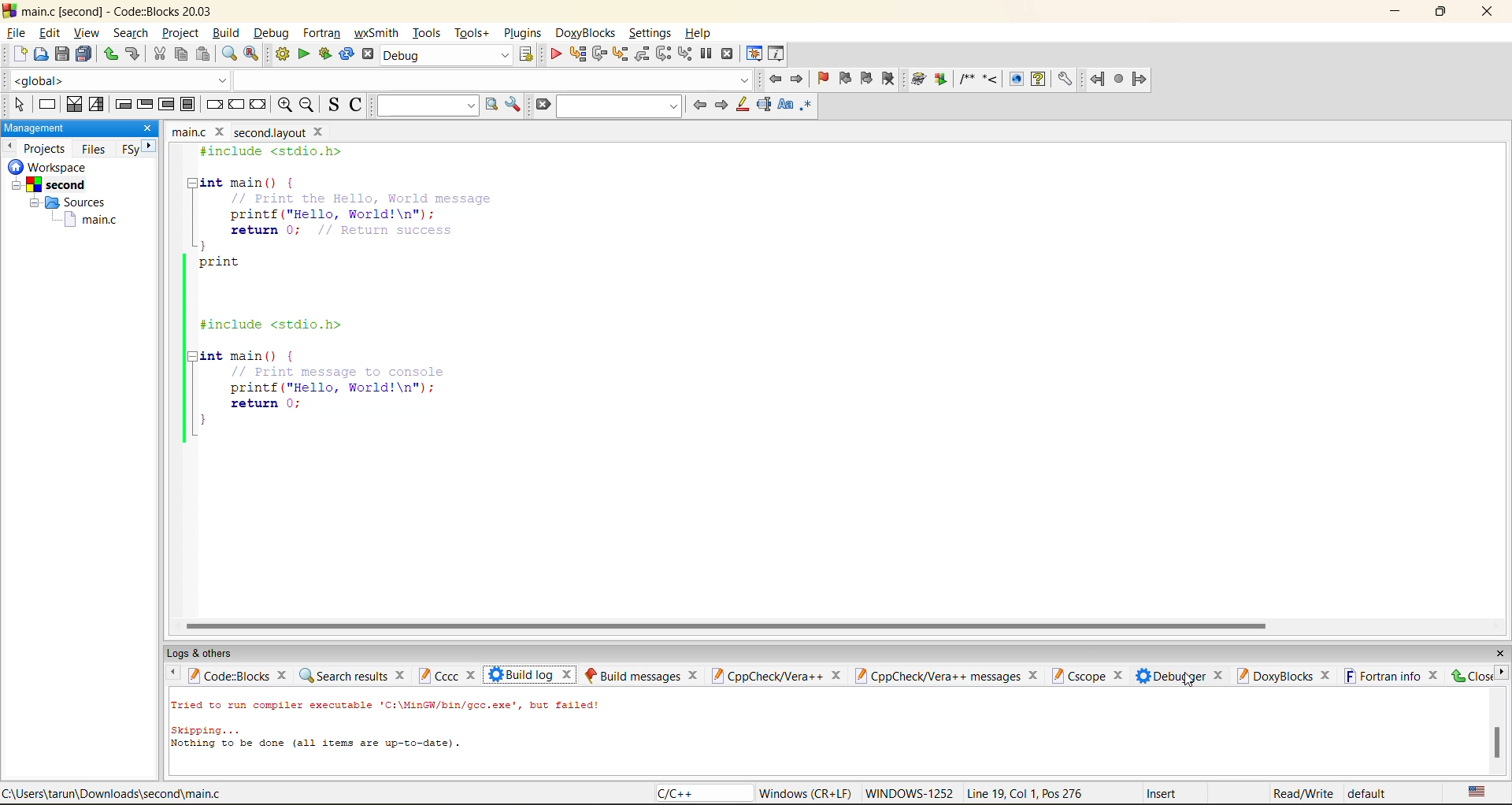 The image size is (1512, 805). What do you see at coordinates (47, 106) in the screenshot?
I see `instruction` at bounding box center [47, 106].